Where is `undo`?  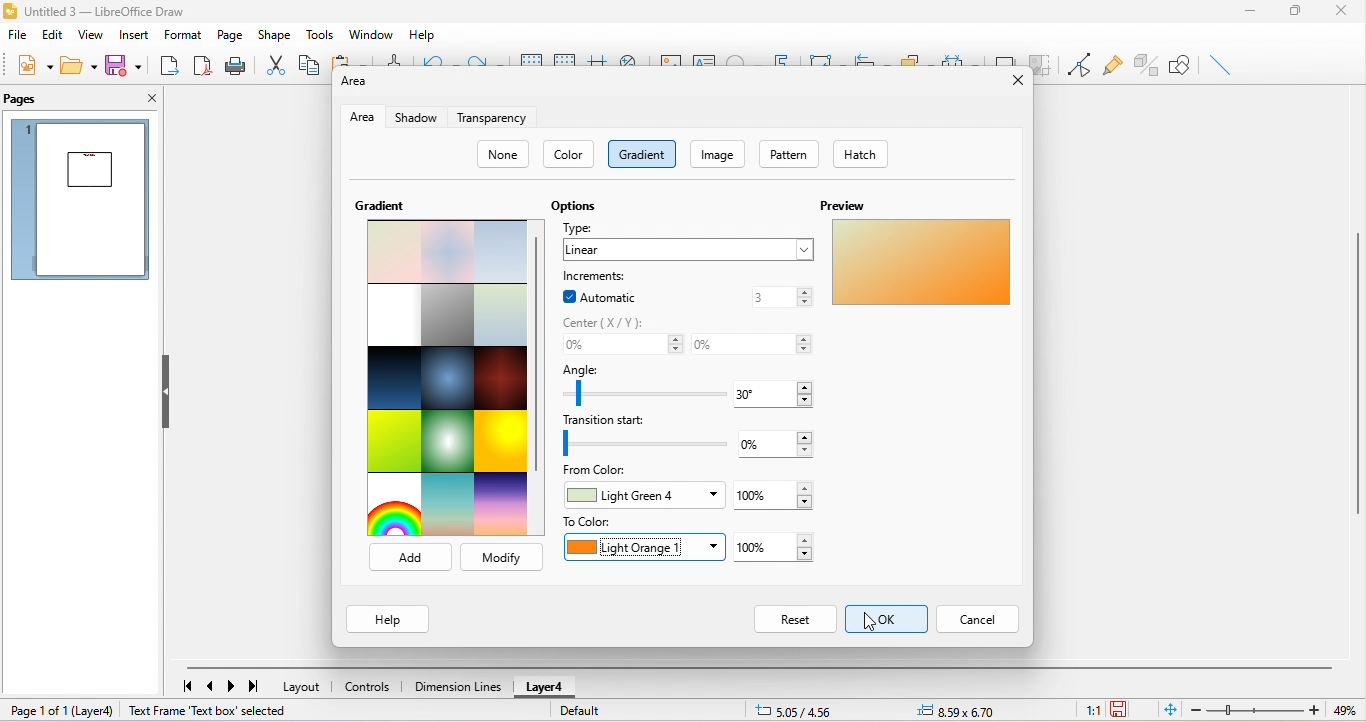
undo is located at coordinates (437, 56).